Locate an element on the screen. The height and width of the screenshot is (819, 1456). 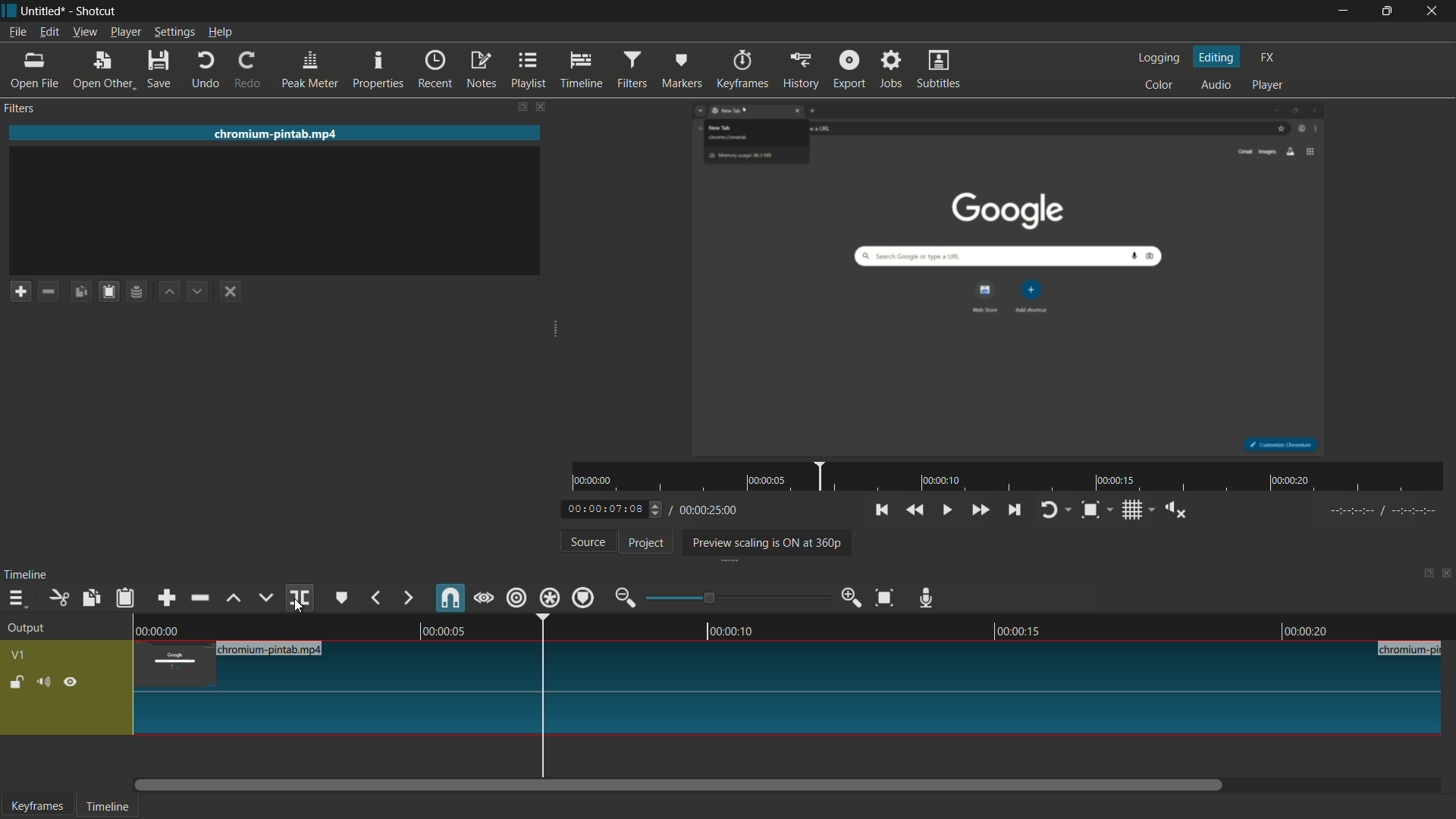
player menu is located at coordinates (127, 31).